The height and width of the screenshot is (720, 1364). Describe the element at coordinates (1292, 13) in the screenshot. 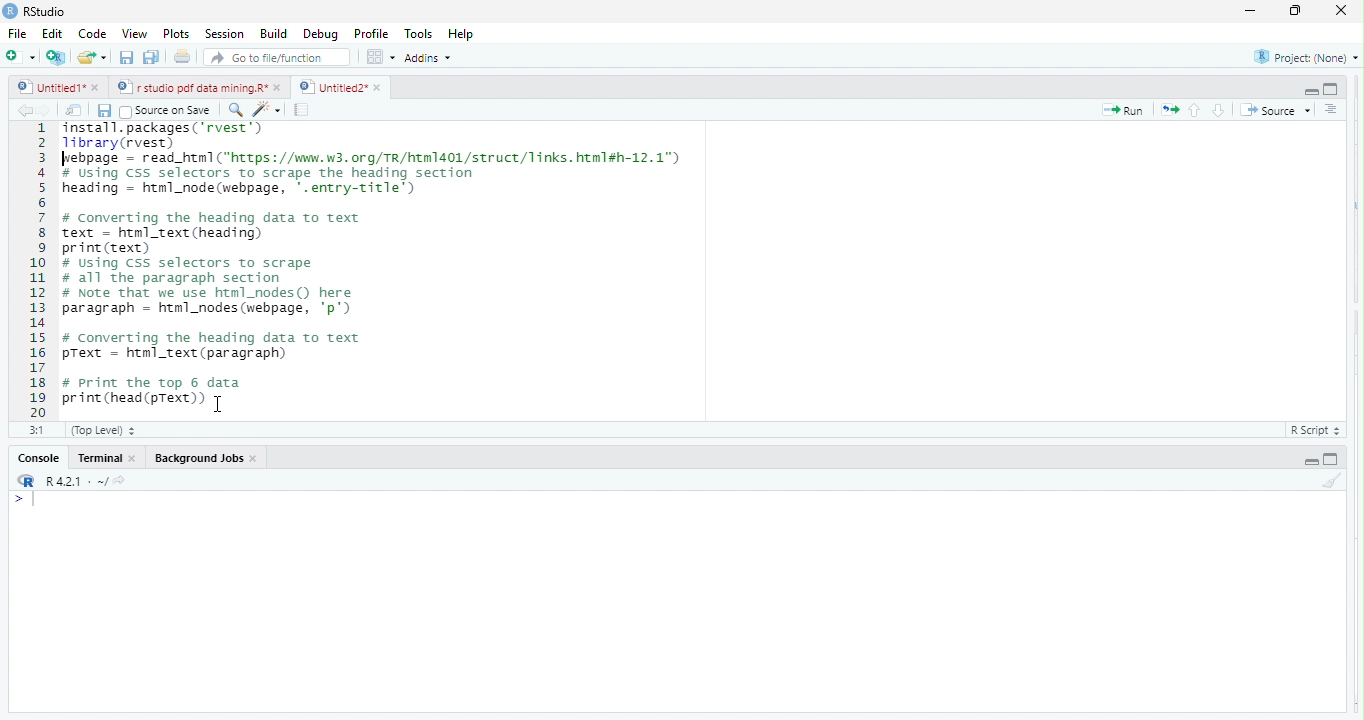

I see `minimize` at that location.